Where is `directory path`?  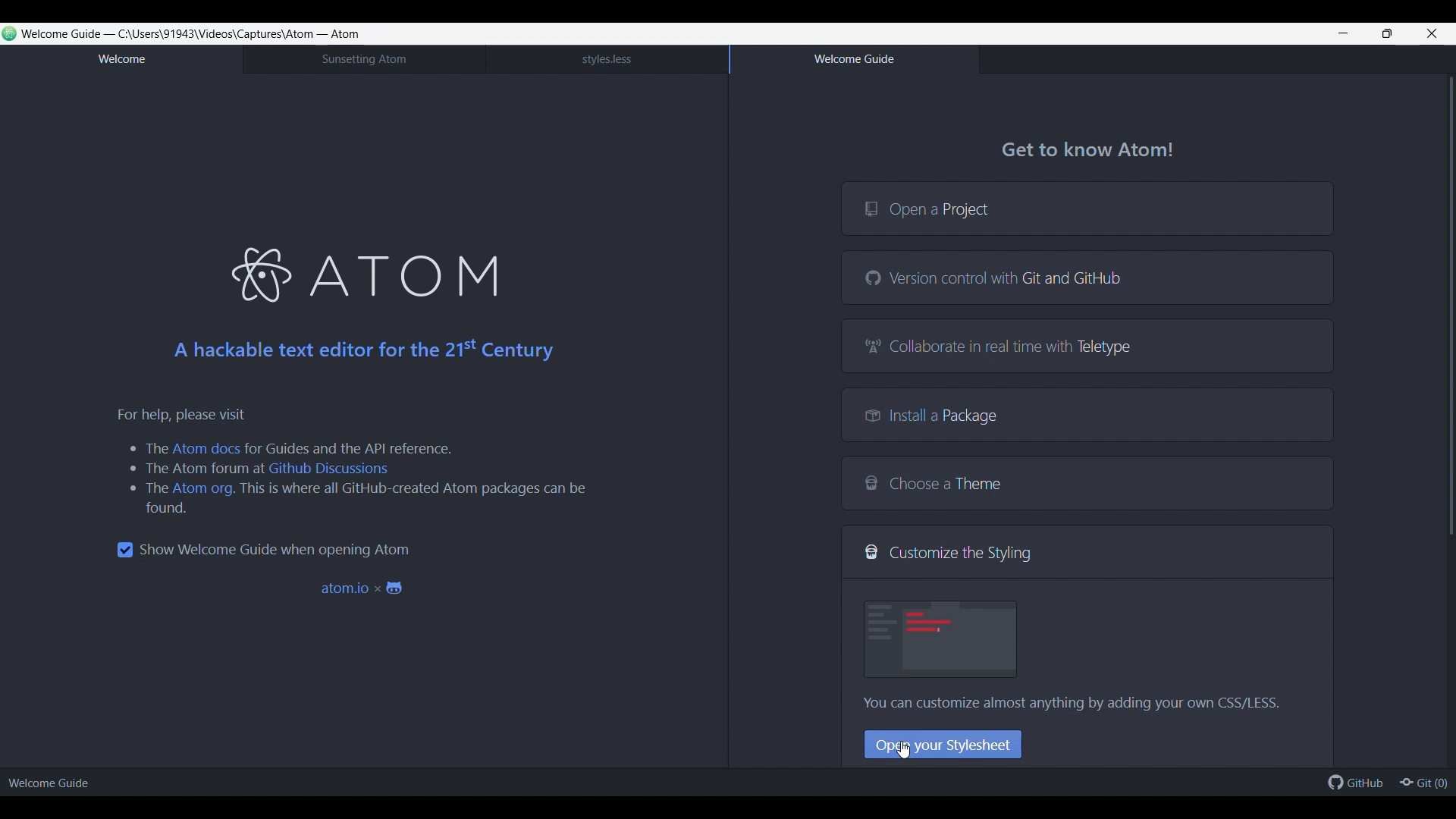 directory path is located at coordinates (216, 33).